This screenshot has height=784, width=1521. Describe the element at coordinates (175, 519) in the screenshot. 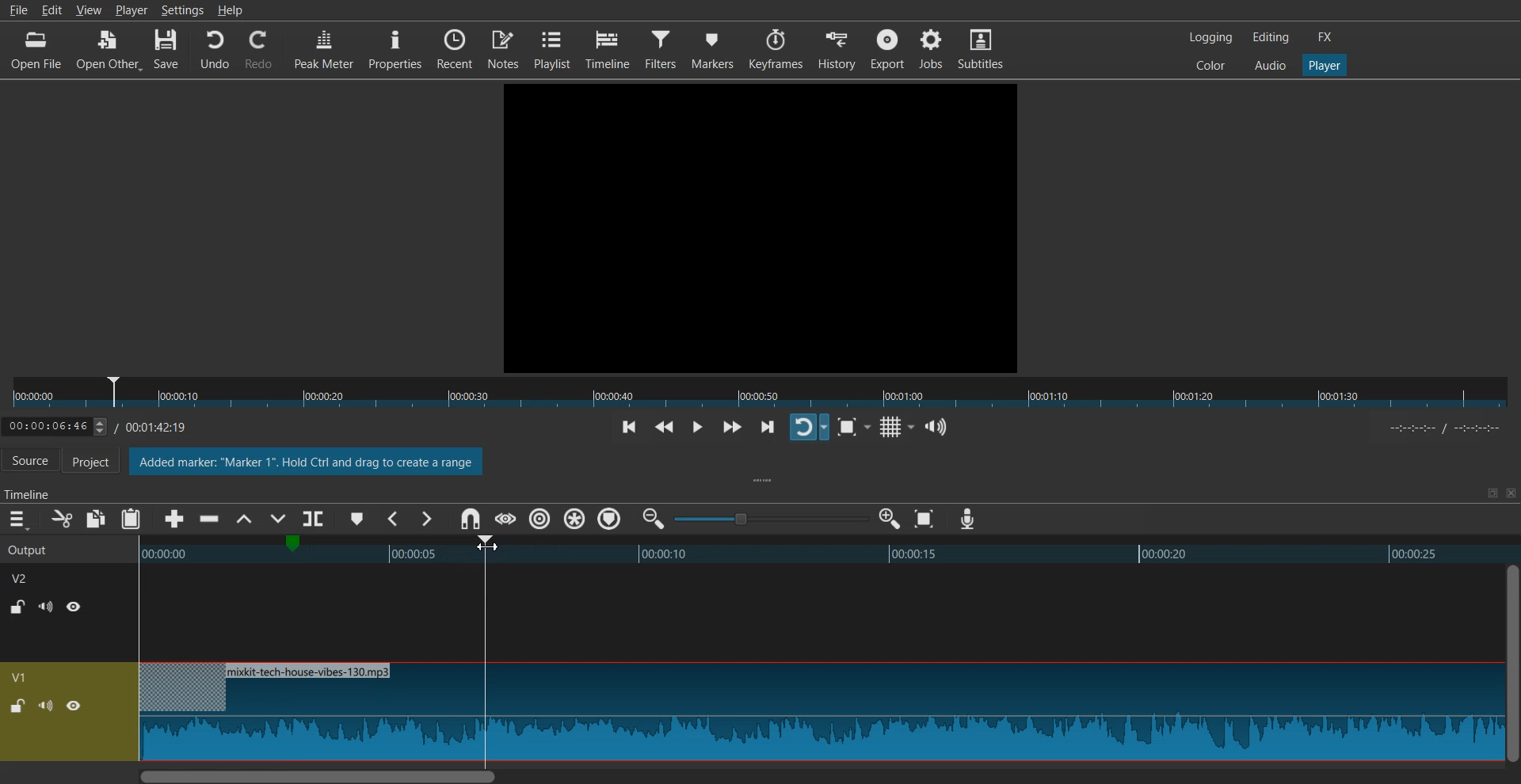

I see `Append ` at that location.